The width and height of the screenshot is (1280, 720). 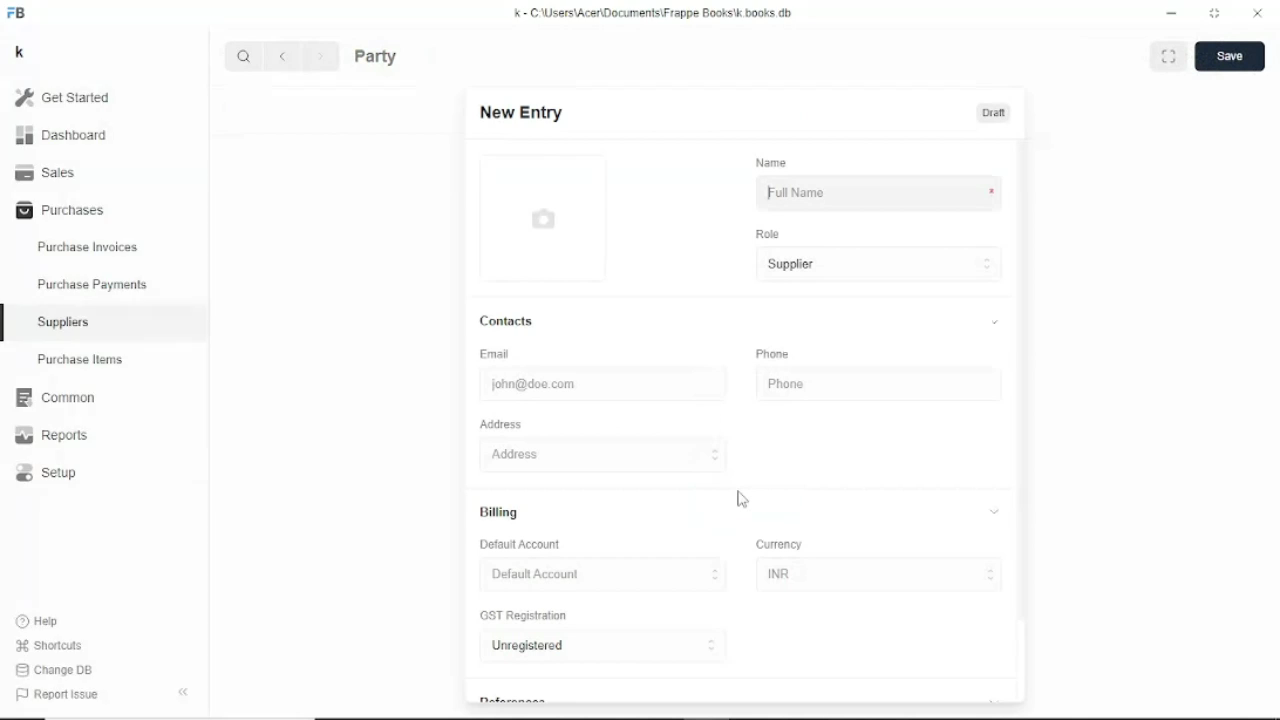 What do you see at coordinates (741, 512) in the screenshot?
I see `Billing` at bounding box center [741, 512].